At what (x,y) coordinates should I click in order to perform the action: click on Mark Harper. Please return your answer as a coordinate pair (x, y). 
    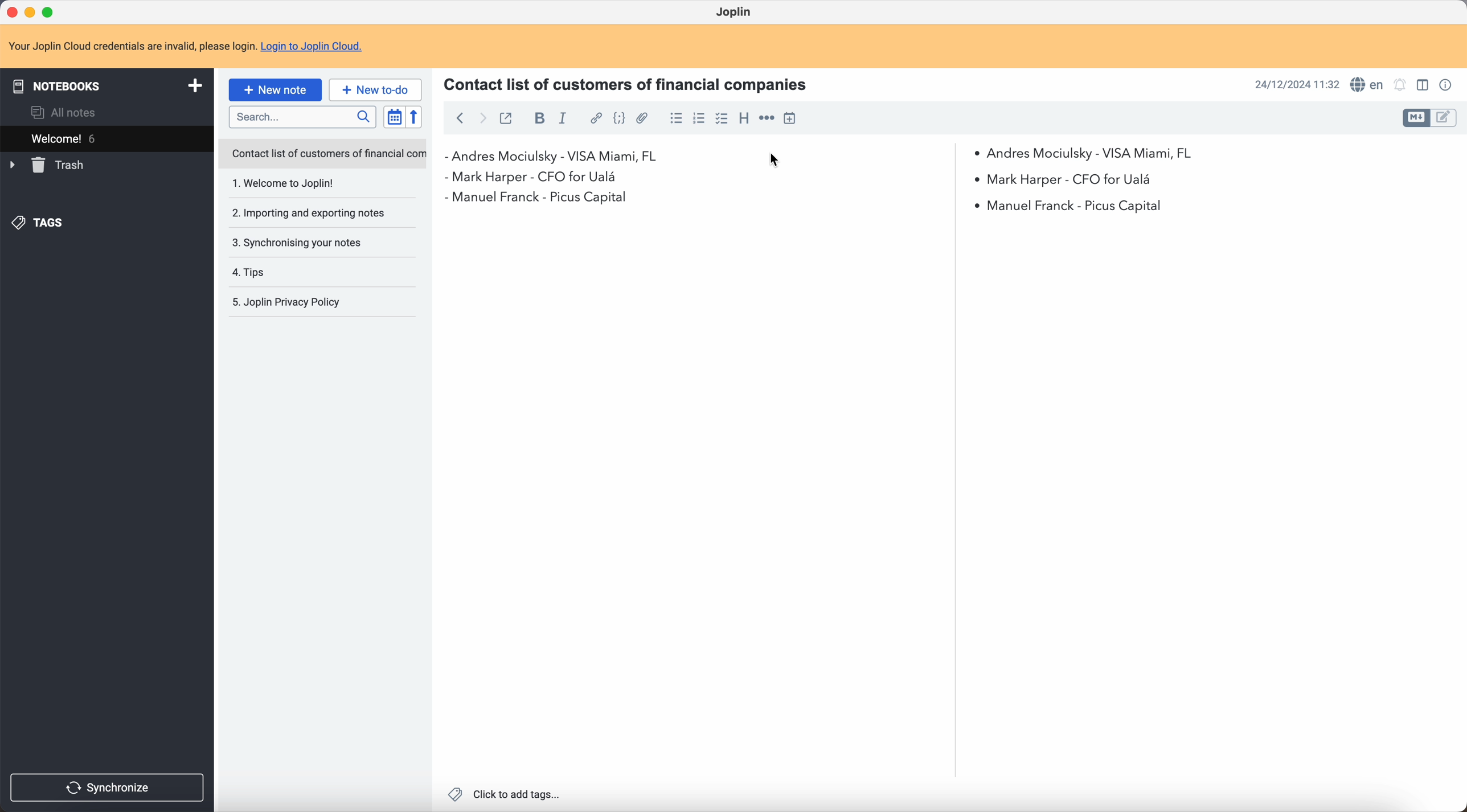
    Looking at the image, I should click on (801, 176).